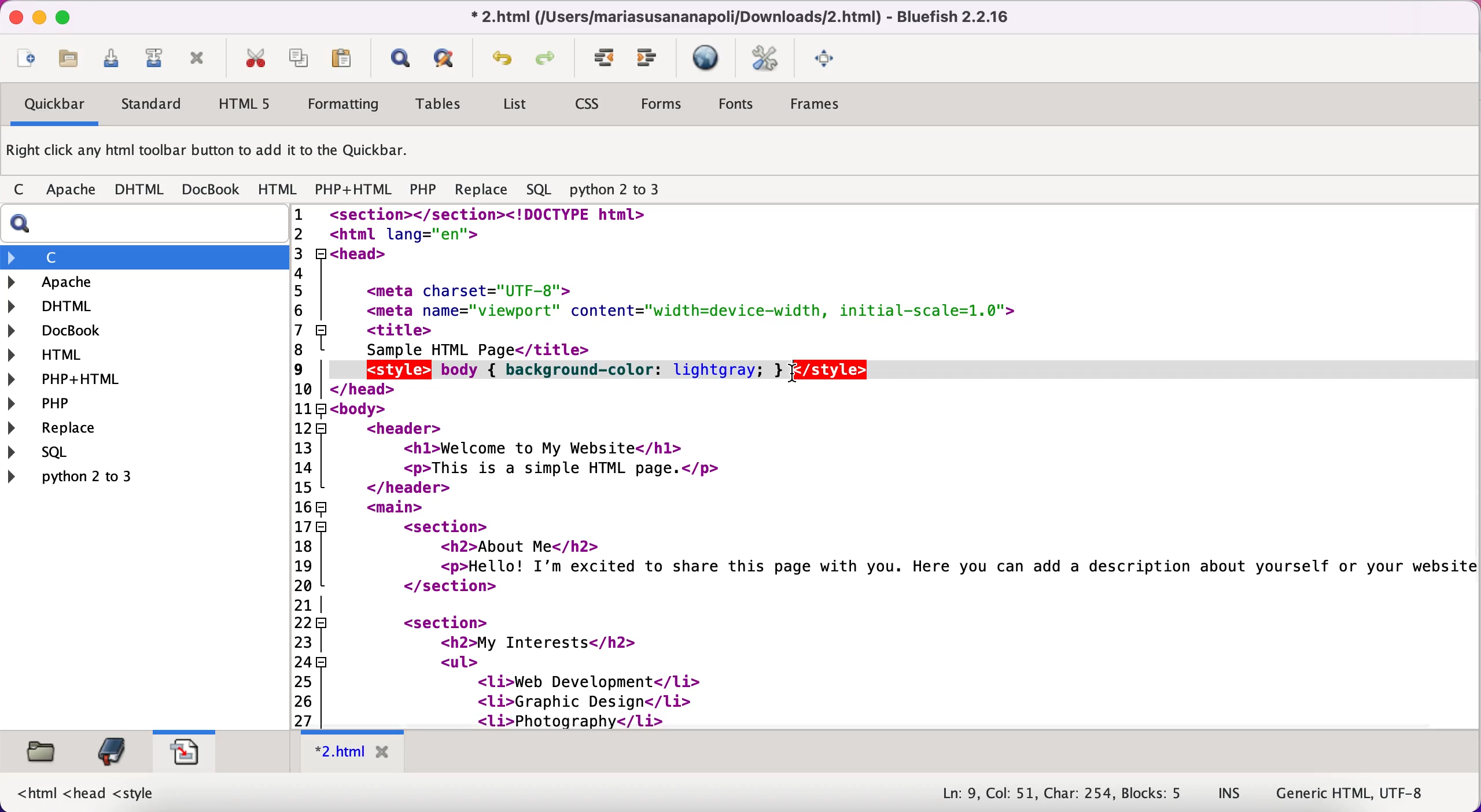 Image resolution: width=1481 pixels, height=812 pixels. Describe the element at coordinates (91, 791) in the screenshot. I see `<html <head <style` at that location.